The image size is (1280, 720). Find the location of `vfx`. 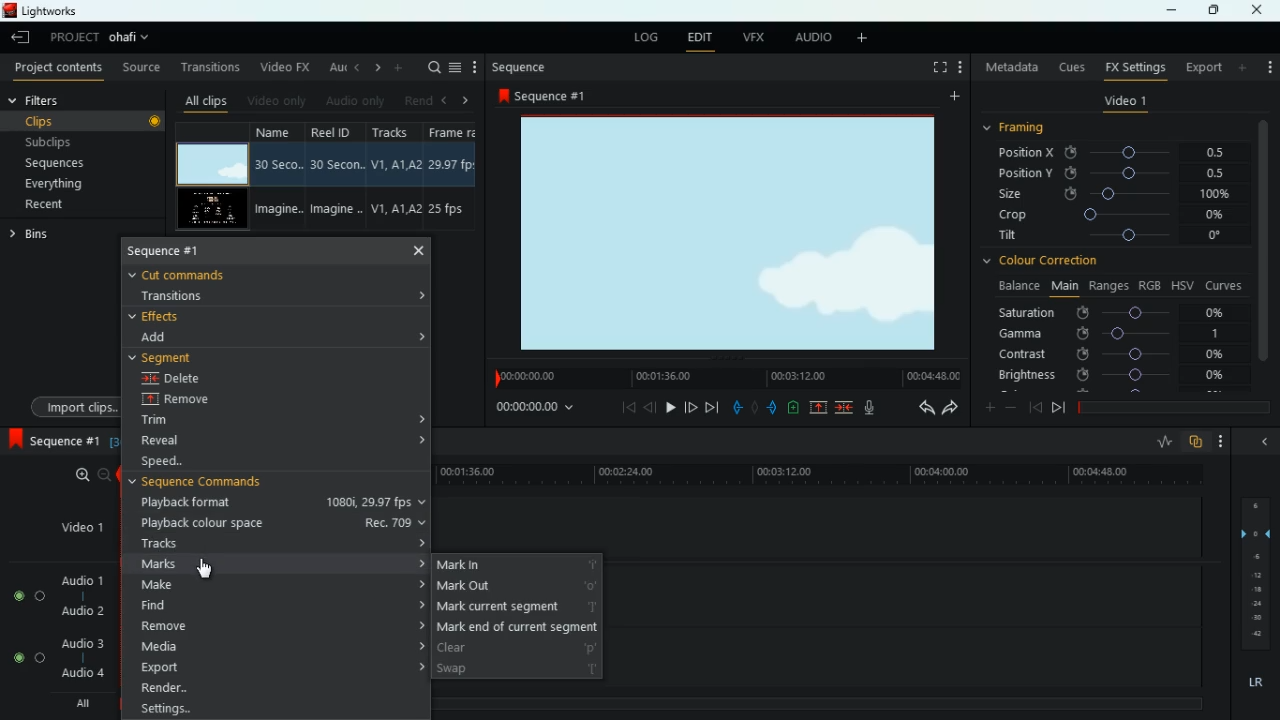

vfx is located at coordinates (750, 38).